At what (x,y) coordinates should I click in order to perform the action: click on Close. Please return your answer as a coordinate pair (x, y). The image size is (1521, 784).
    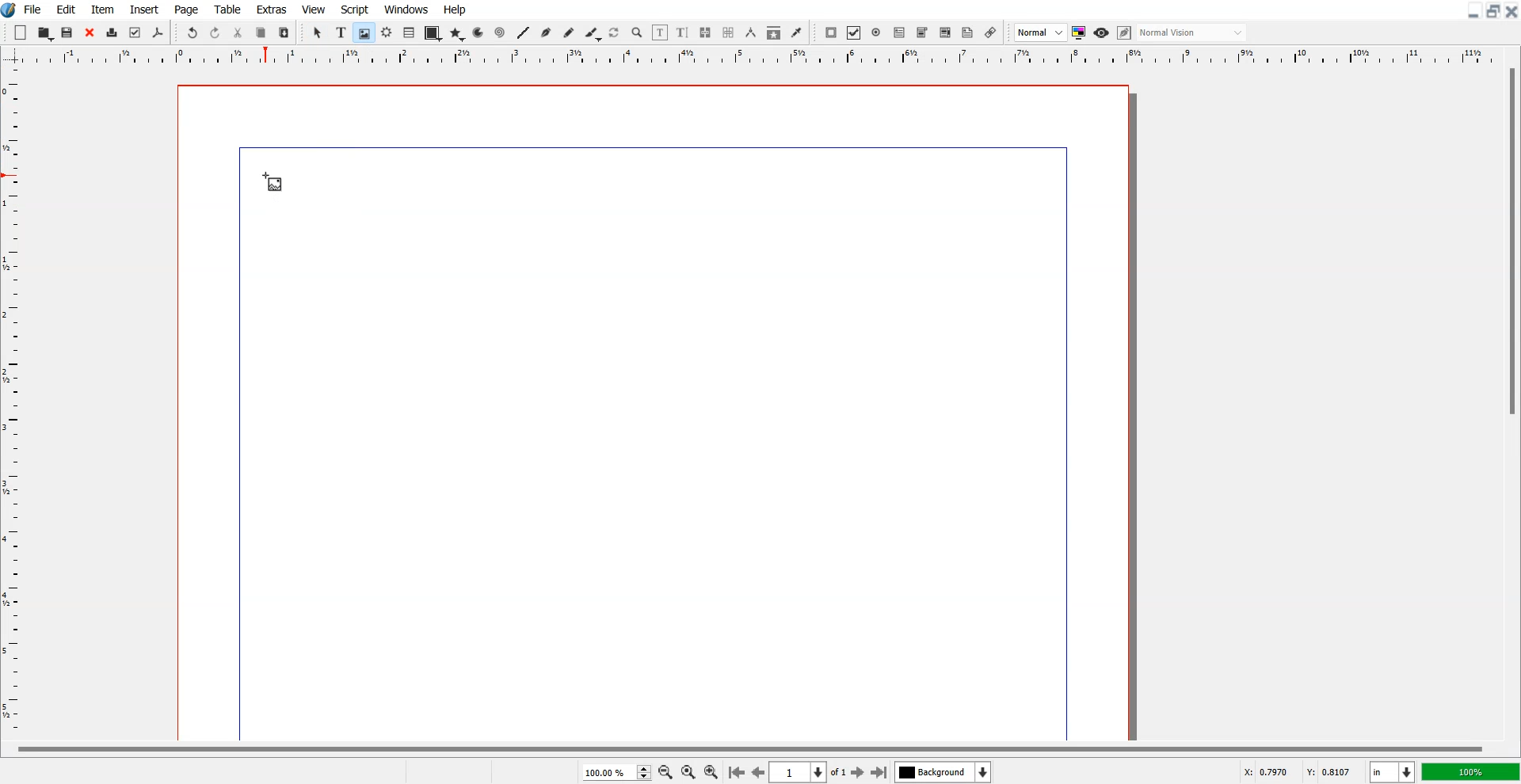
    Looking at the image, I should click on (90, 32).